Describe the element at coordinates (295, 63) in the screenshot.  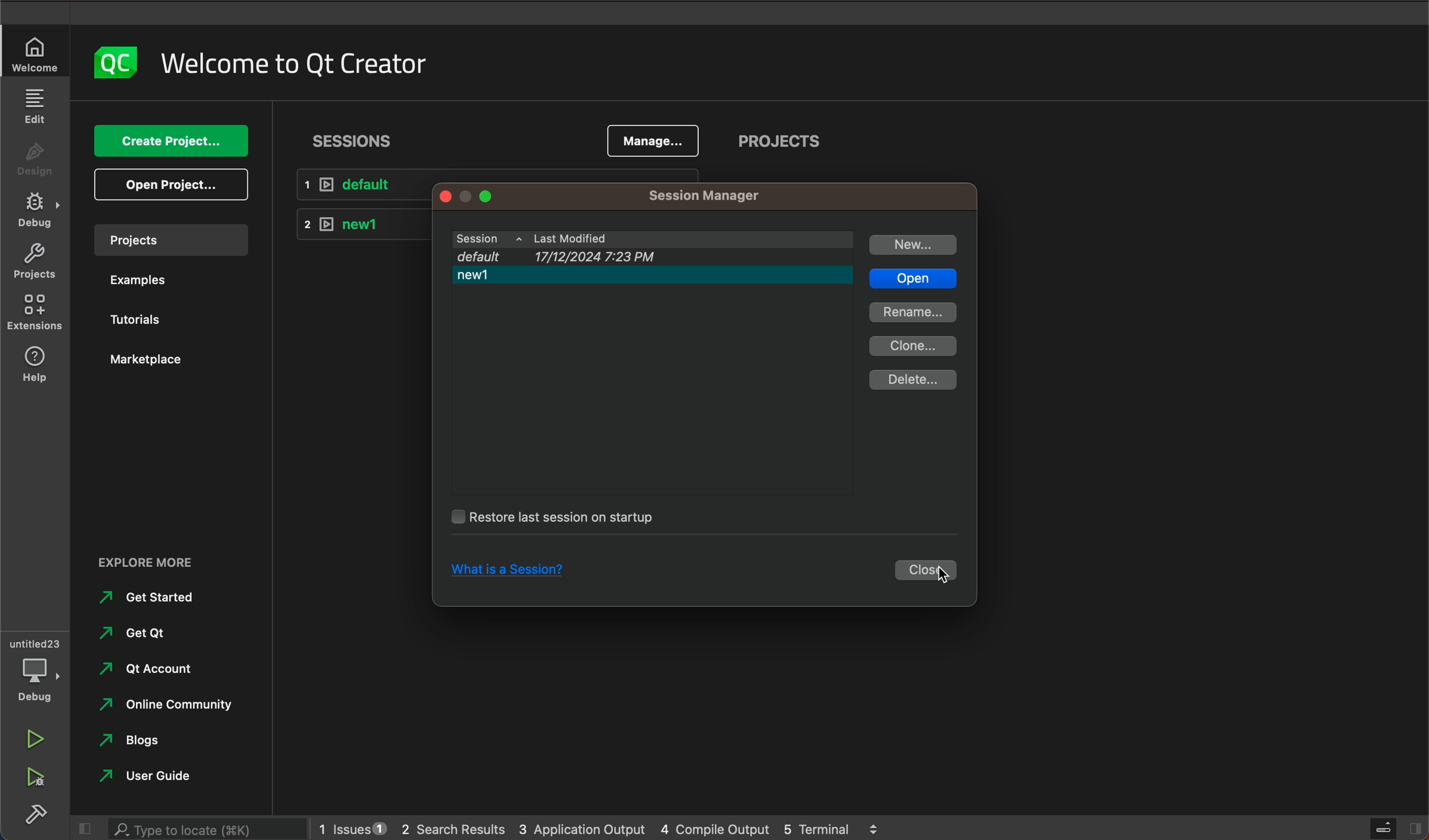
I see `welcome to Qt creator` at that location.